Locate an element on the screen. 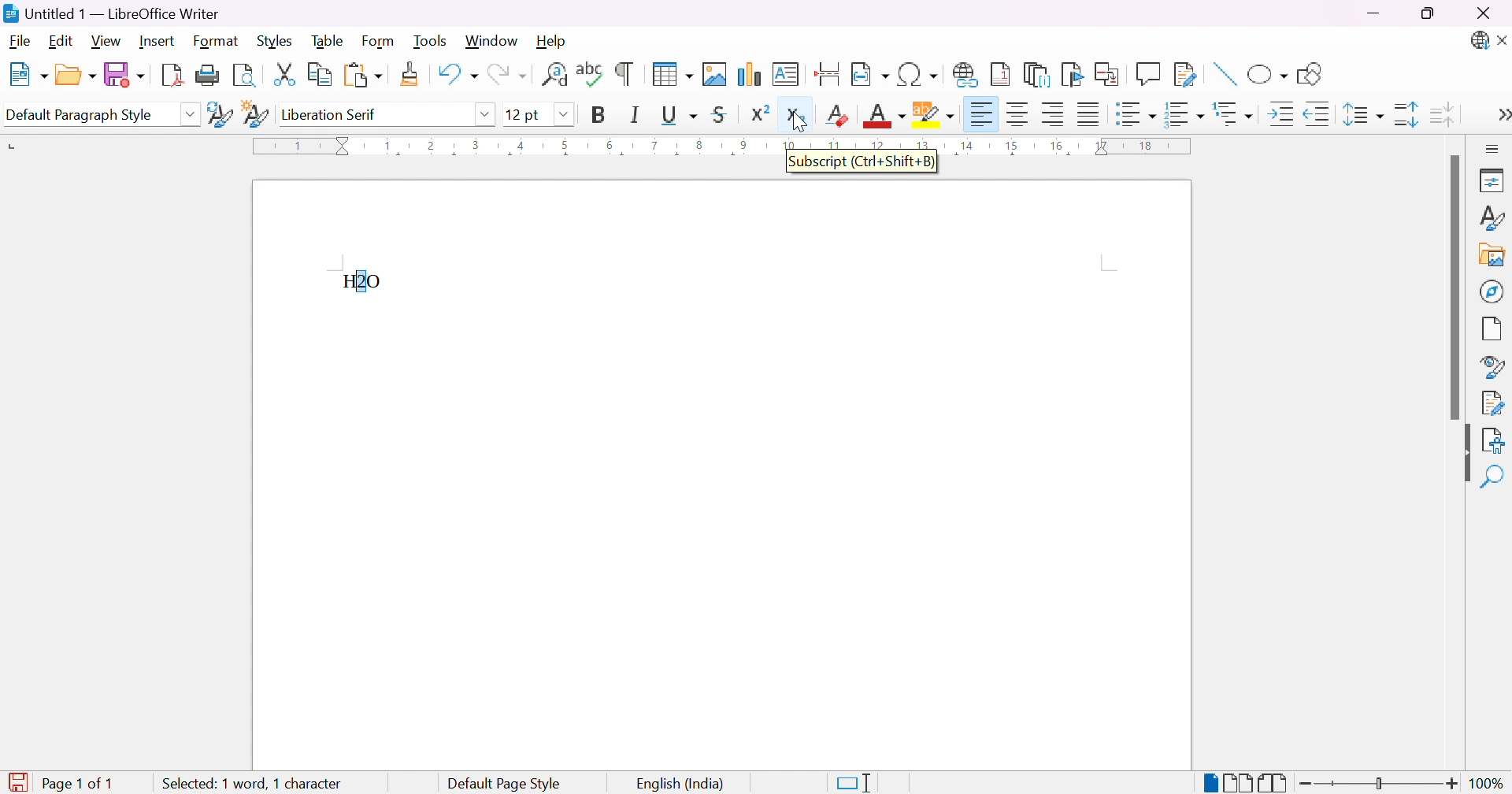 This screenshot has width=1512, height=794. Insert image is located at coordinates (1493, 257).